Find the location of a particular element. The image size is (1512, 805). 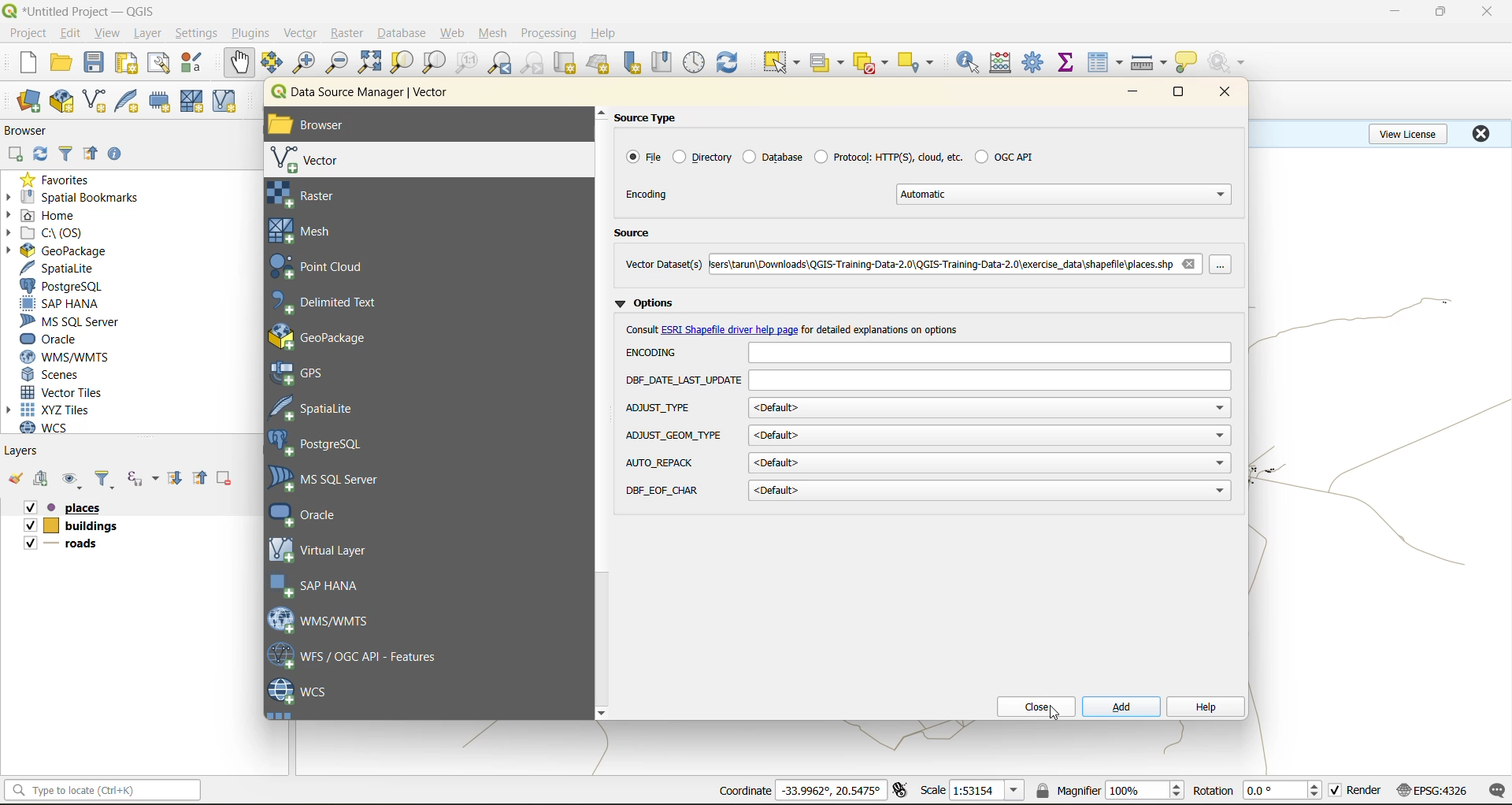

text is located at coordinates (643, 329).